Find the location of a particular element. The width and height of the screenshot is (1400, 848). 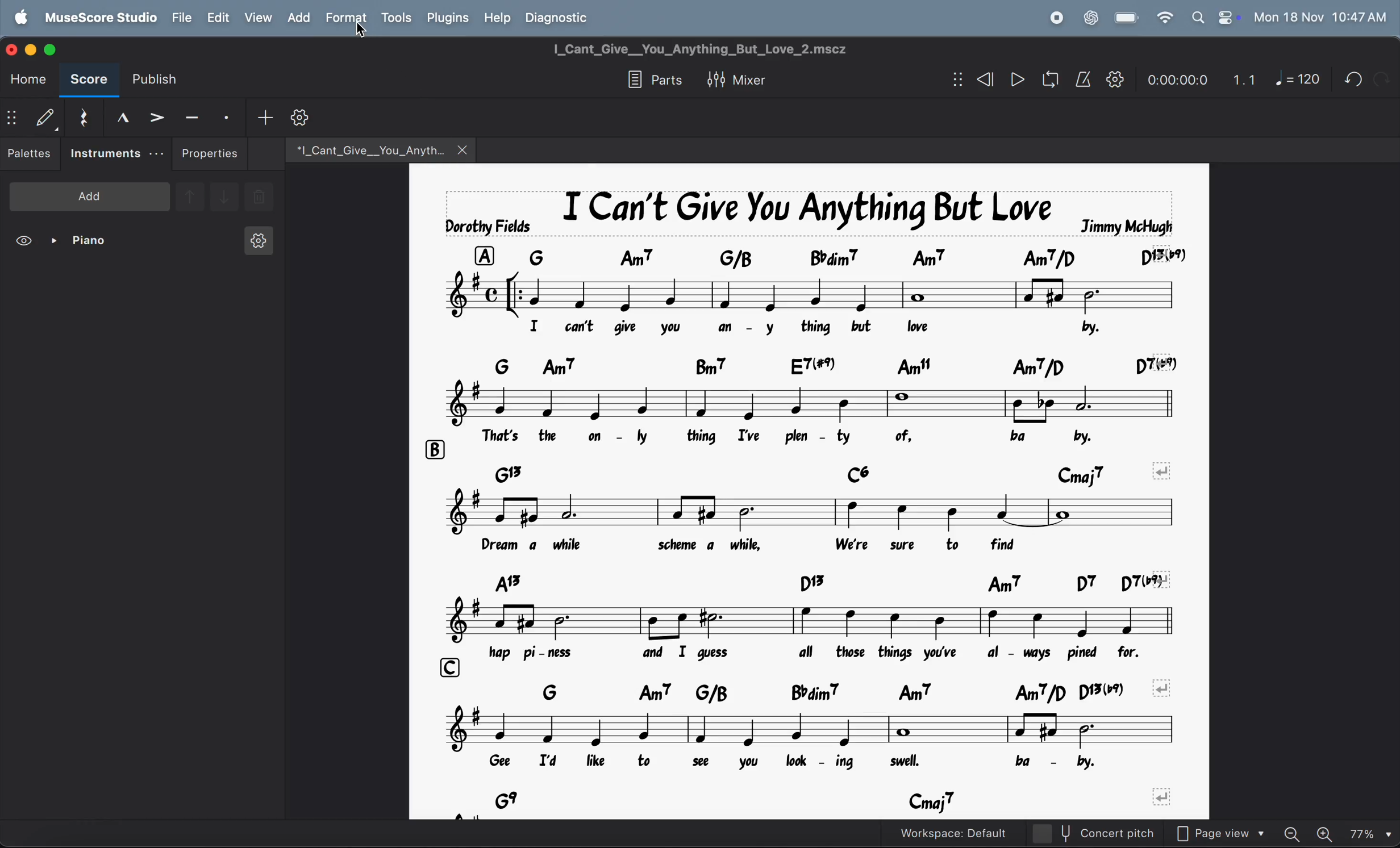

record is located at coordinates (1056, 18).